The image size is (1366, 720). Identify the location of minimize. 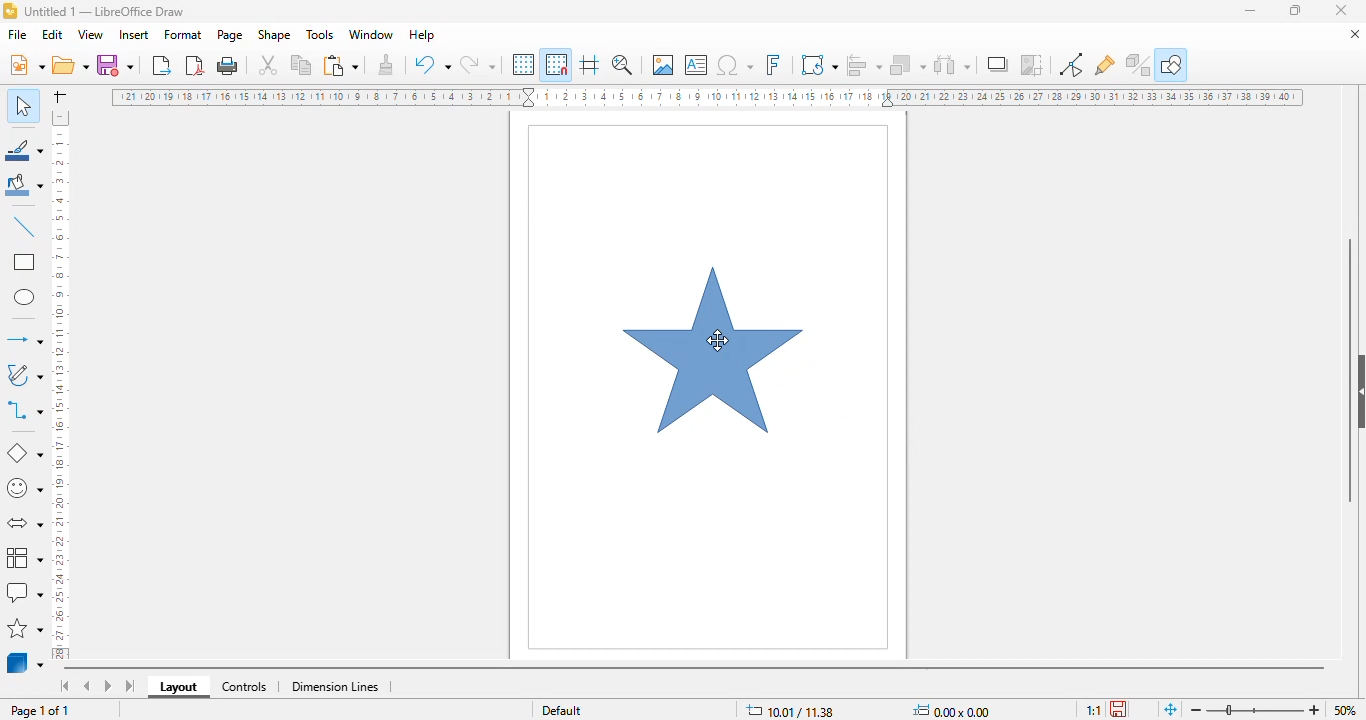
(1252, 11).